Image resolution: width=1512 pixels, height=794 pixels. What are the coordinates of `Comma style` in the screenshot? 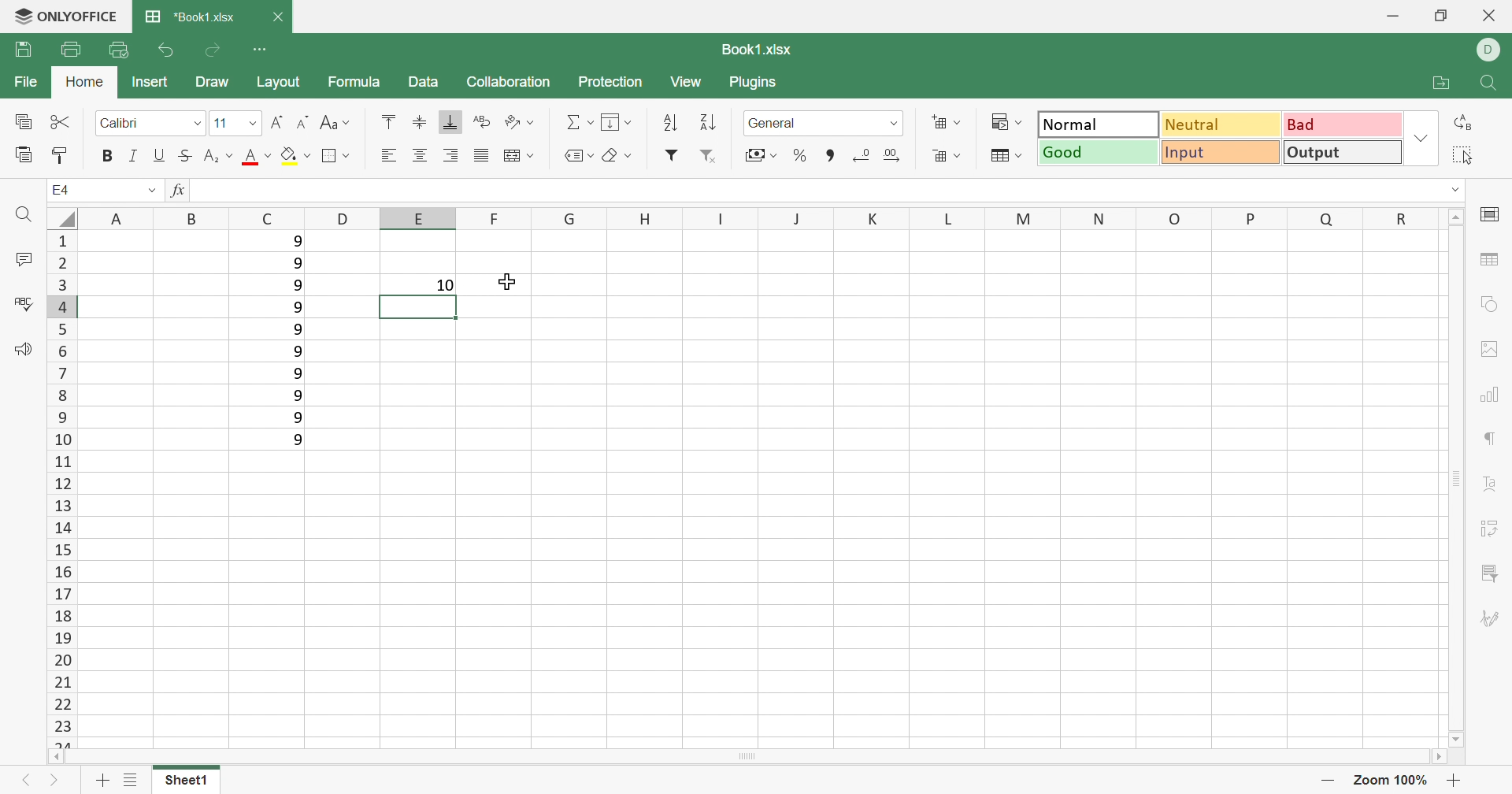 It's located at (828, 154).